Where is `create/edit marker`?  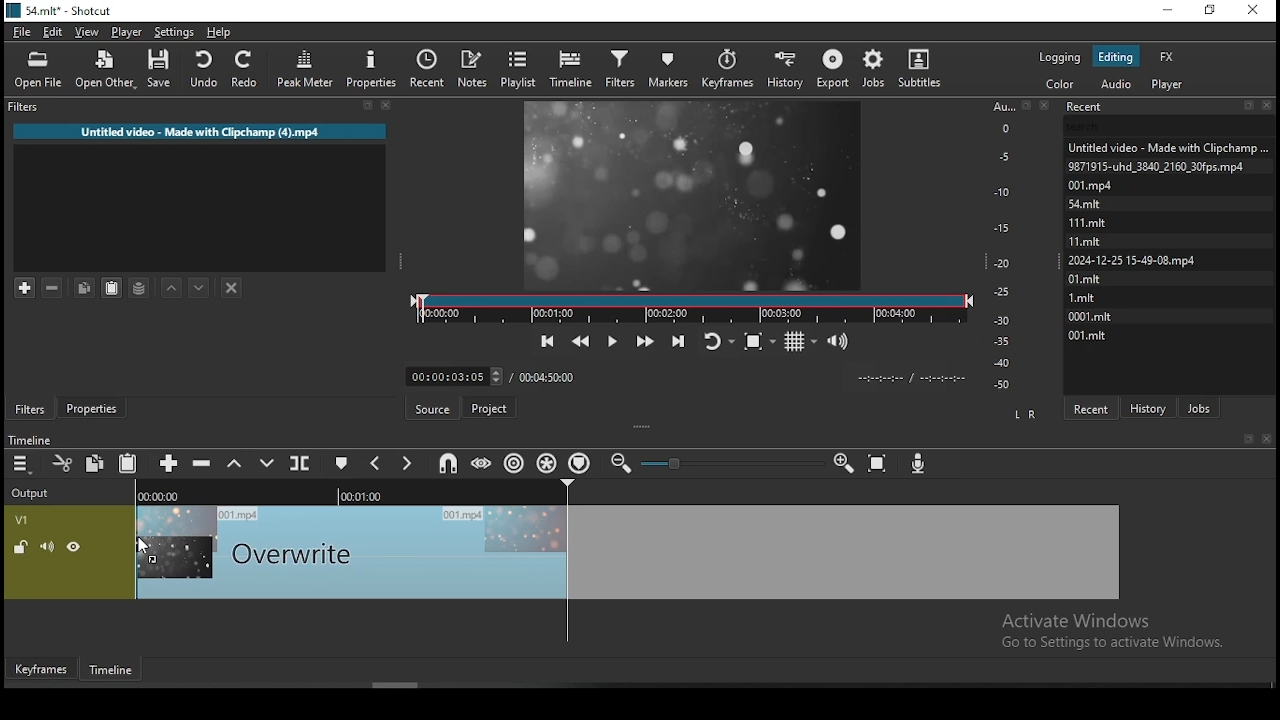
create/edit marker is located at coordinates (345, 464).